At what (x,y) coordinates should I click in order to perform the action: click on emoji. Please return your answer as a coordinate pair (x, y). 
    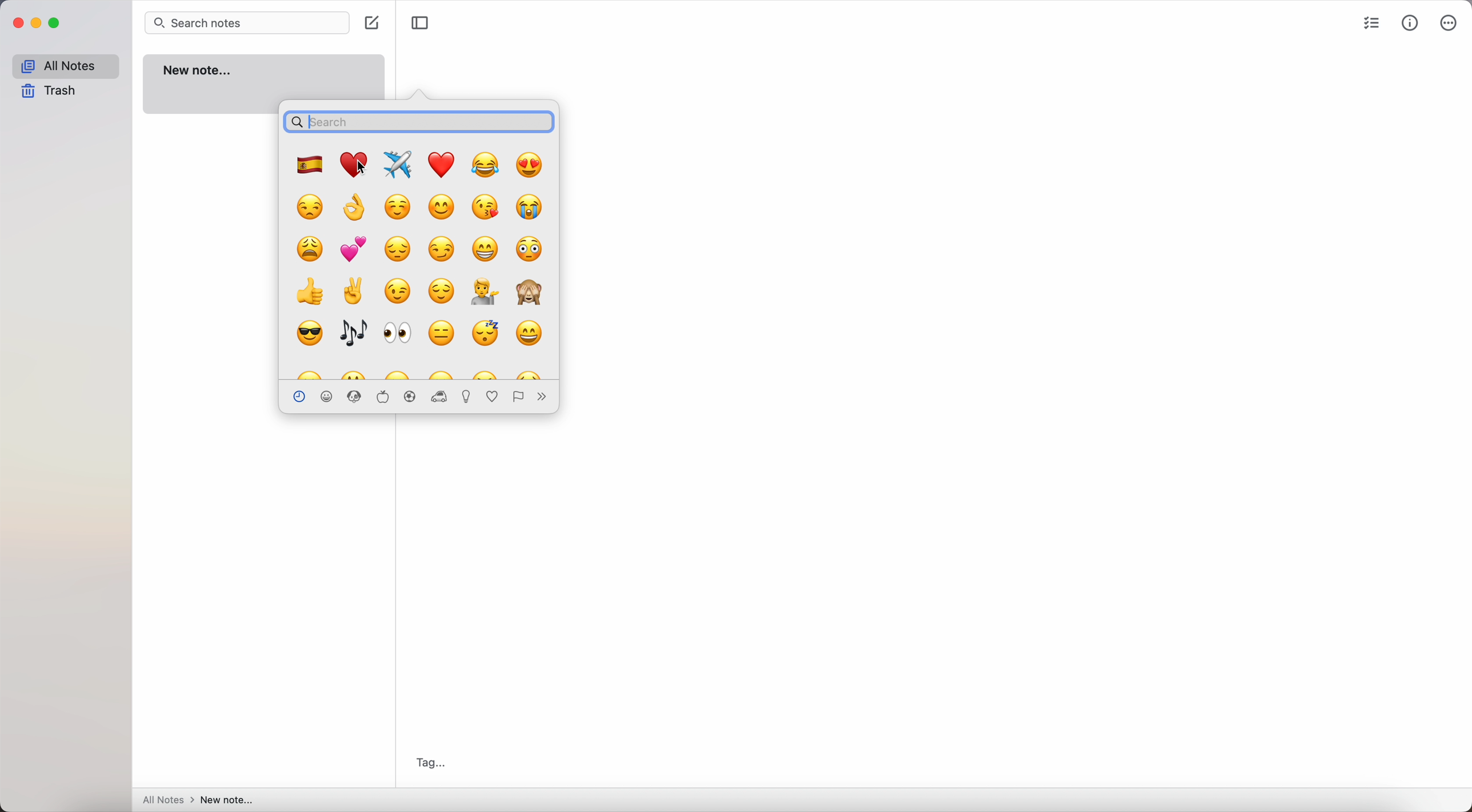
    Looking at the image, I should click on (530, 293).